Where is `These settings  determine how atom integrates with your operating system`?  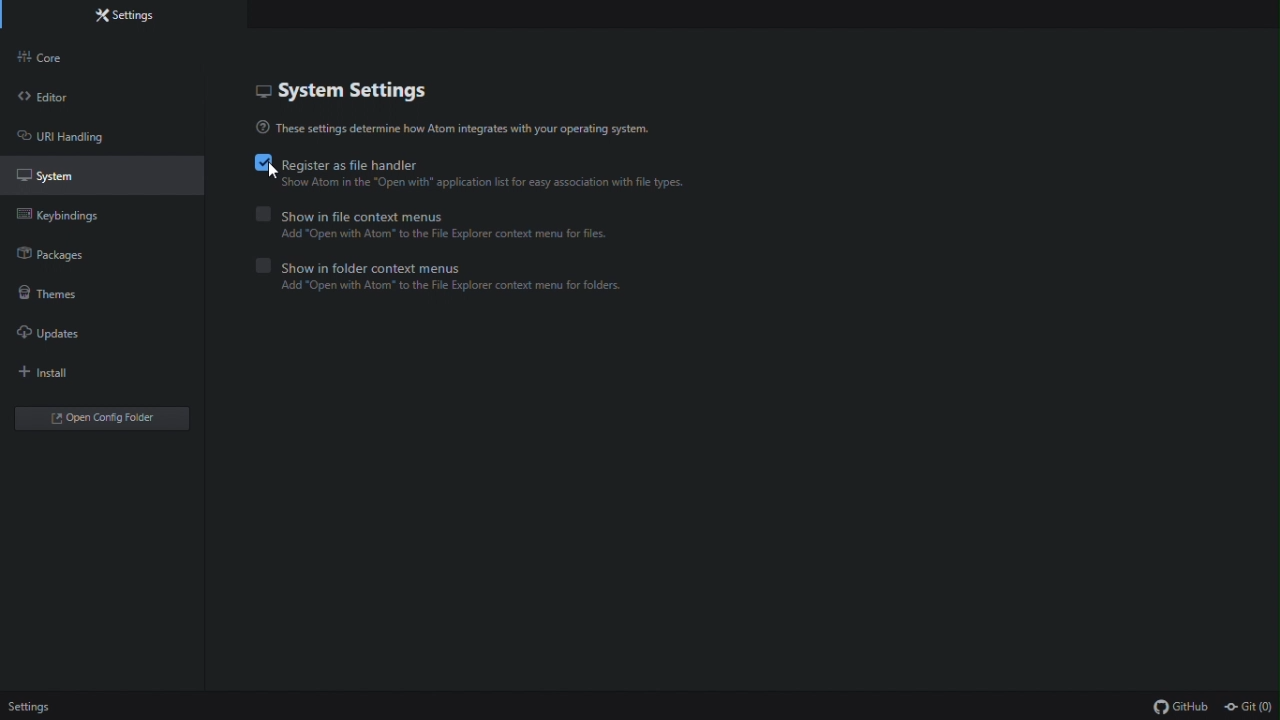
These settings  determine how atom integrates with your operating system is located at coordinates (466, 129).